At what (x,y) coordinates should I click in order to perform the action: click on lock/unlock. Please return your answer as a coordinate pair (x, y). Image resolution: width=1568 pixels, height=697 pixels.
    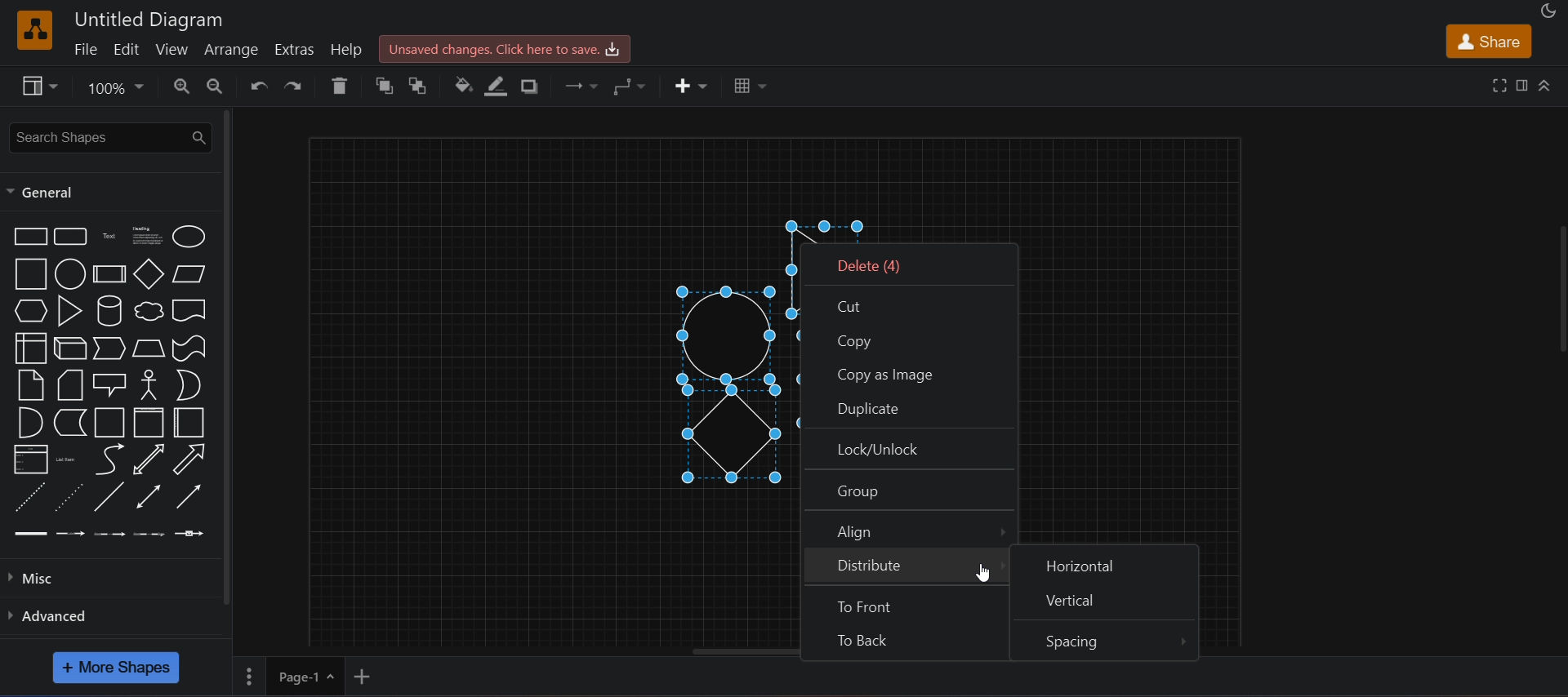
    Looking at the image, I should click on (909, 450).